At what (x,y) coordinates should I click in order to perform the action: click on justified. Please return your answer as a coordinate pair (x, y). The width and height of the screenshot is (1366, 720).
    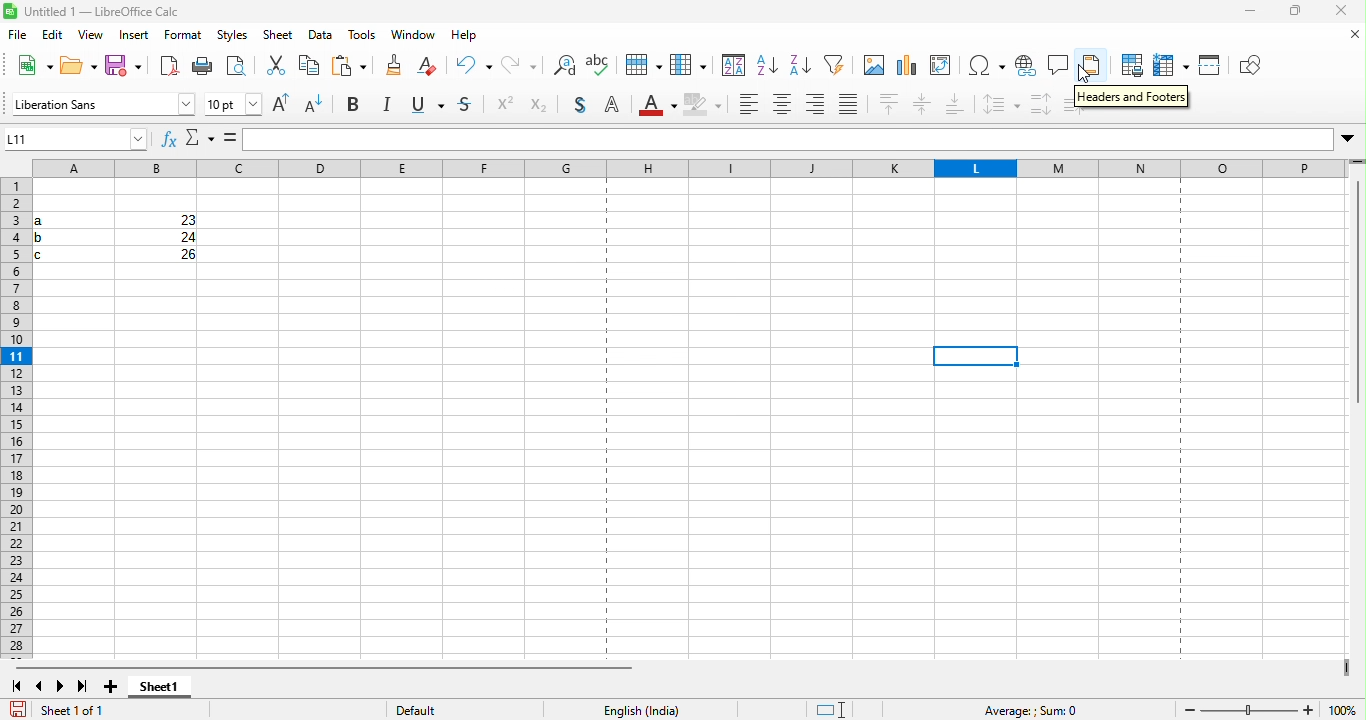
    Looking at the image, I should click on (854, 106).